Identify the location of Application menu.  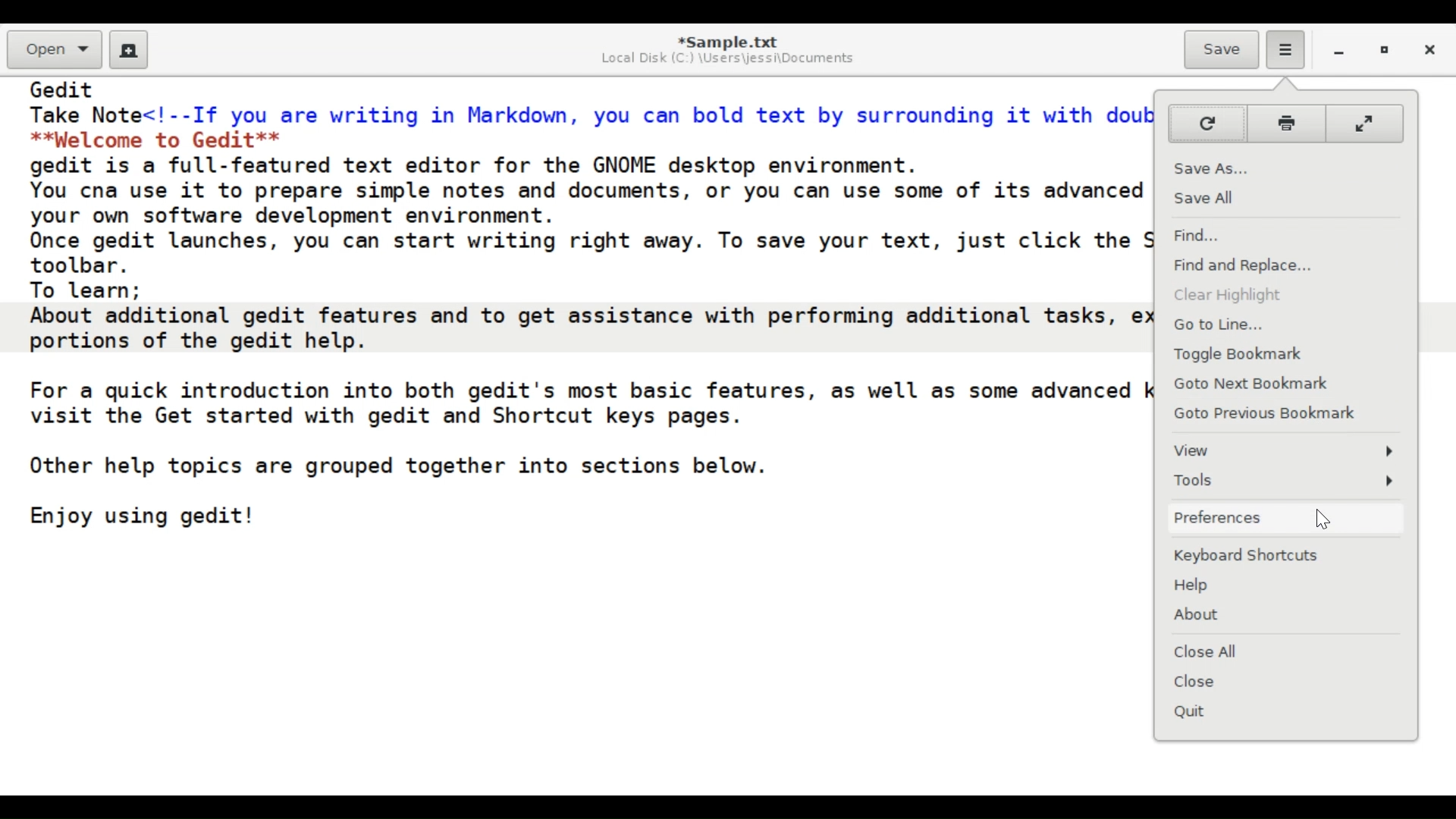
(1285, 50).